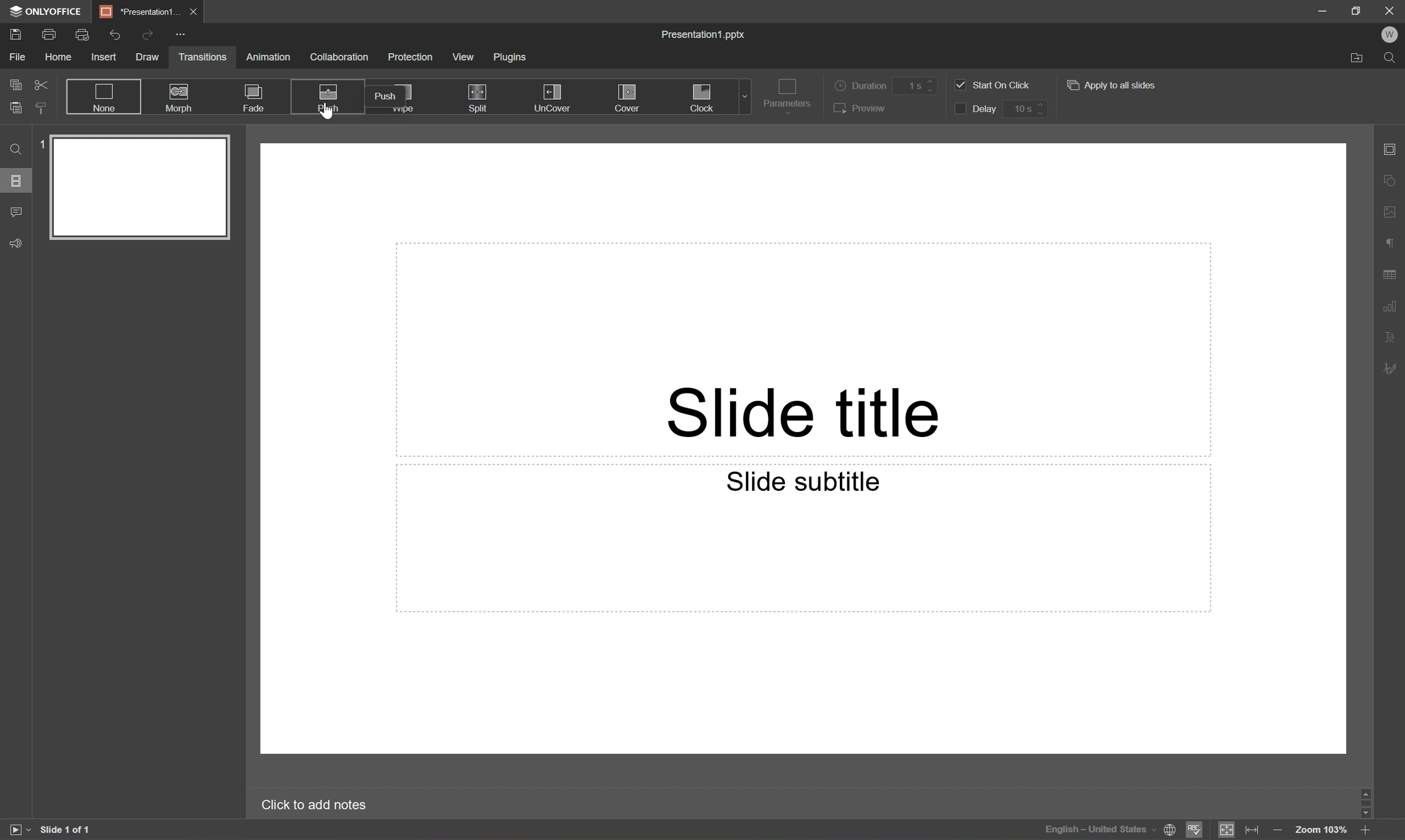 The image size is (1405, 840). I want to click on Draw, so click(151, 59).